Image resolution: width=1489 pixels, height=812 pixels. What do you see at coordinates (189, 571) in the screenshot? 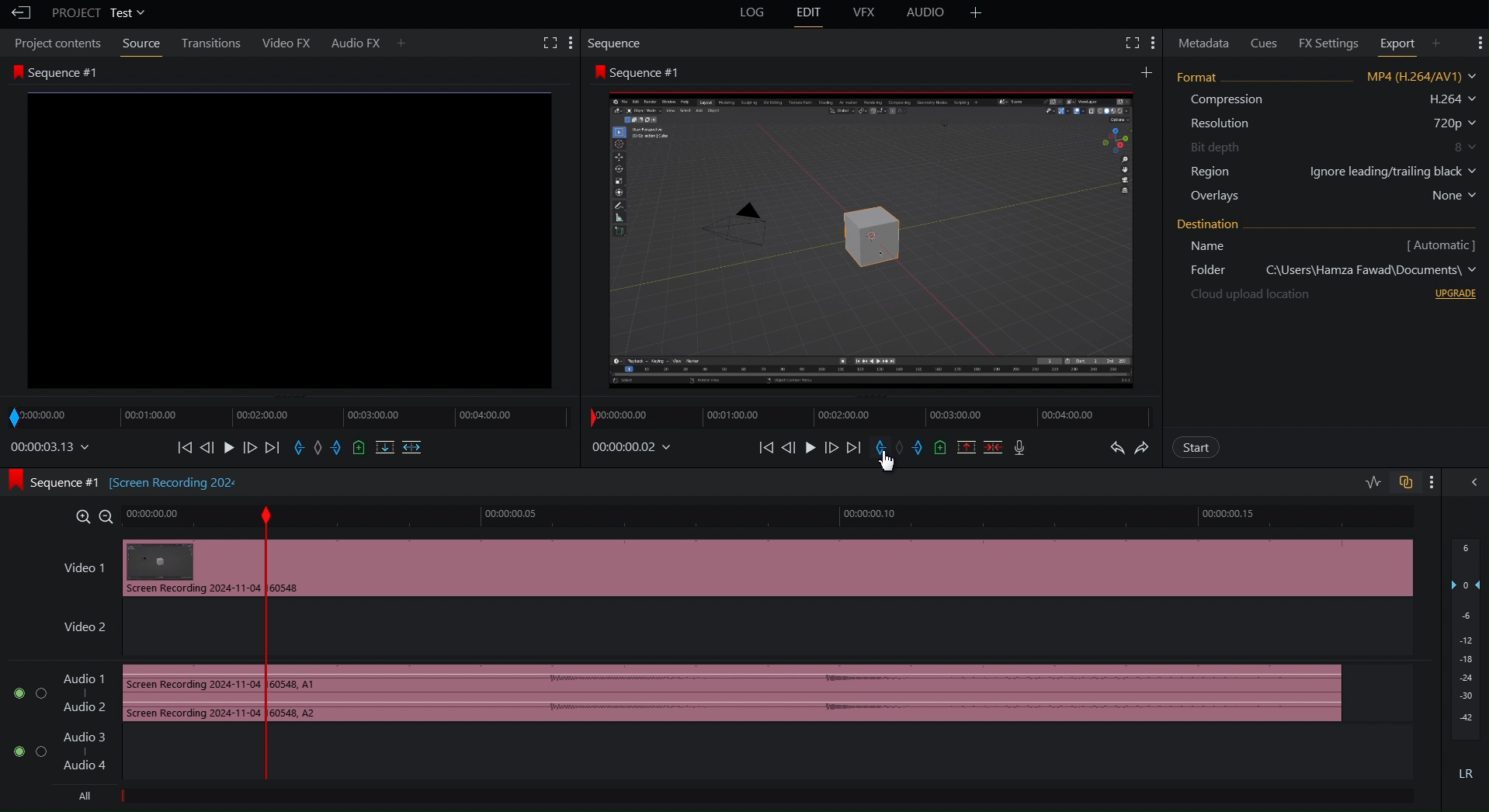
I see `Video clip` at bounding box center [189, 571].